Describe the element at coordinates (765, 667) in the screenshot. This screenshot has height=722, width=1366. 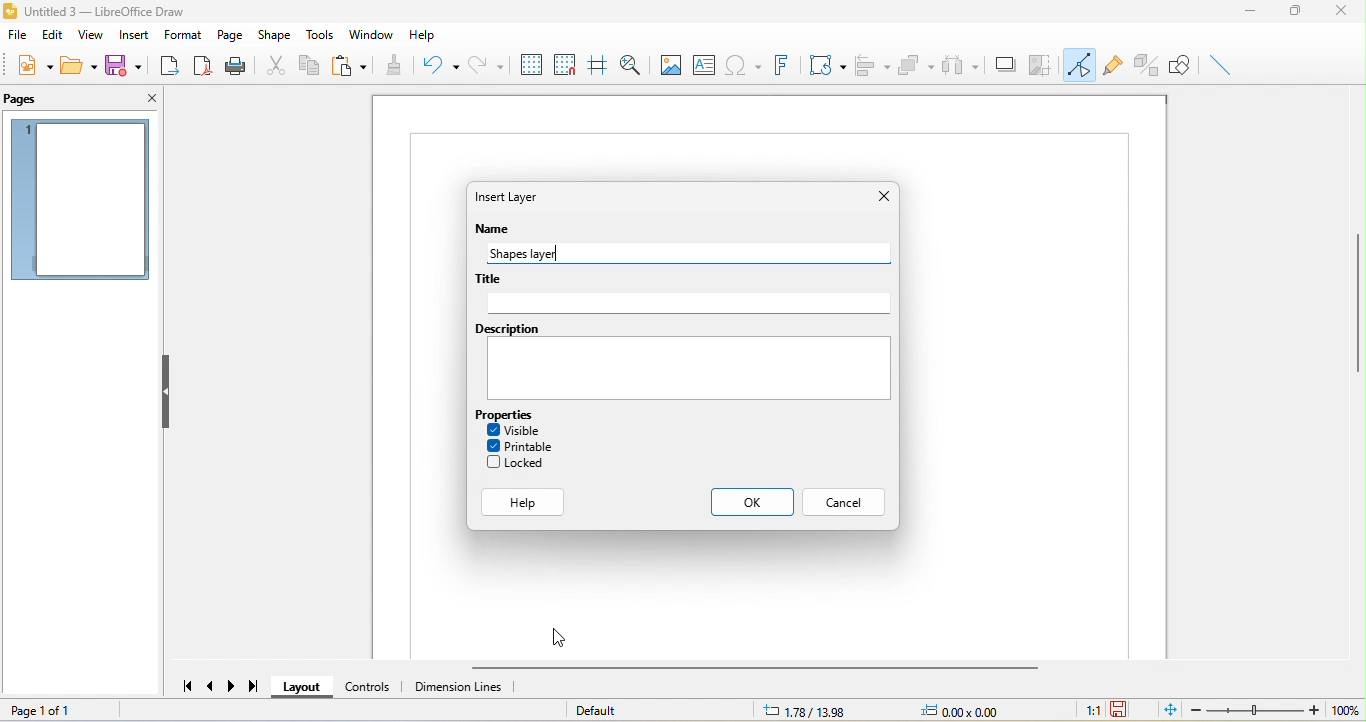
I see `horizontal scroll bar` at that location.